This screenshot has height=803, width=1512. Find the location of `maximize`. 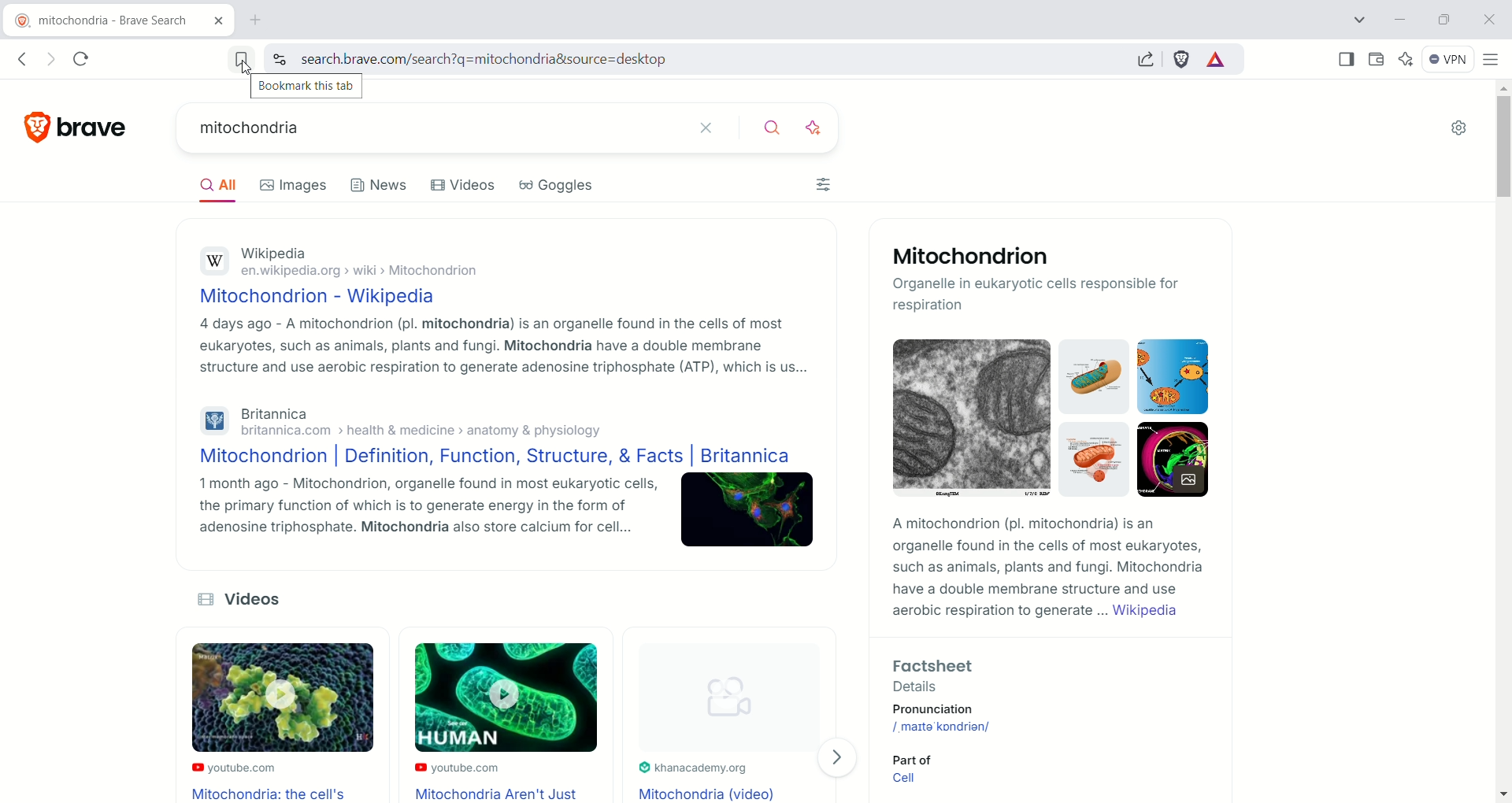

maximize is located at coordinates (1444, 20).